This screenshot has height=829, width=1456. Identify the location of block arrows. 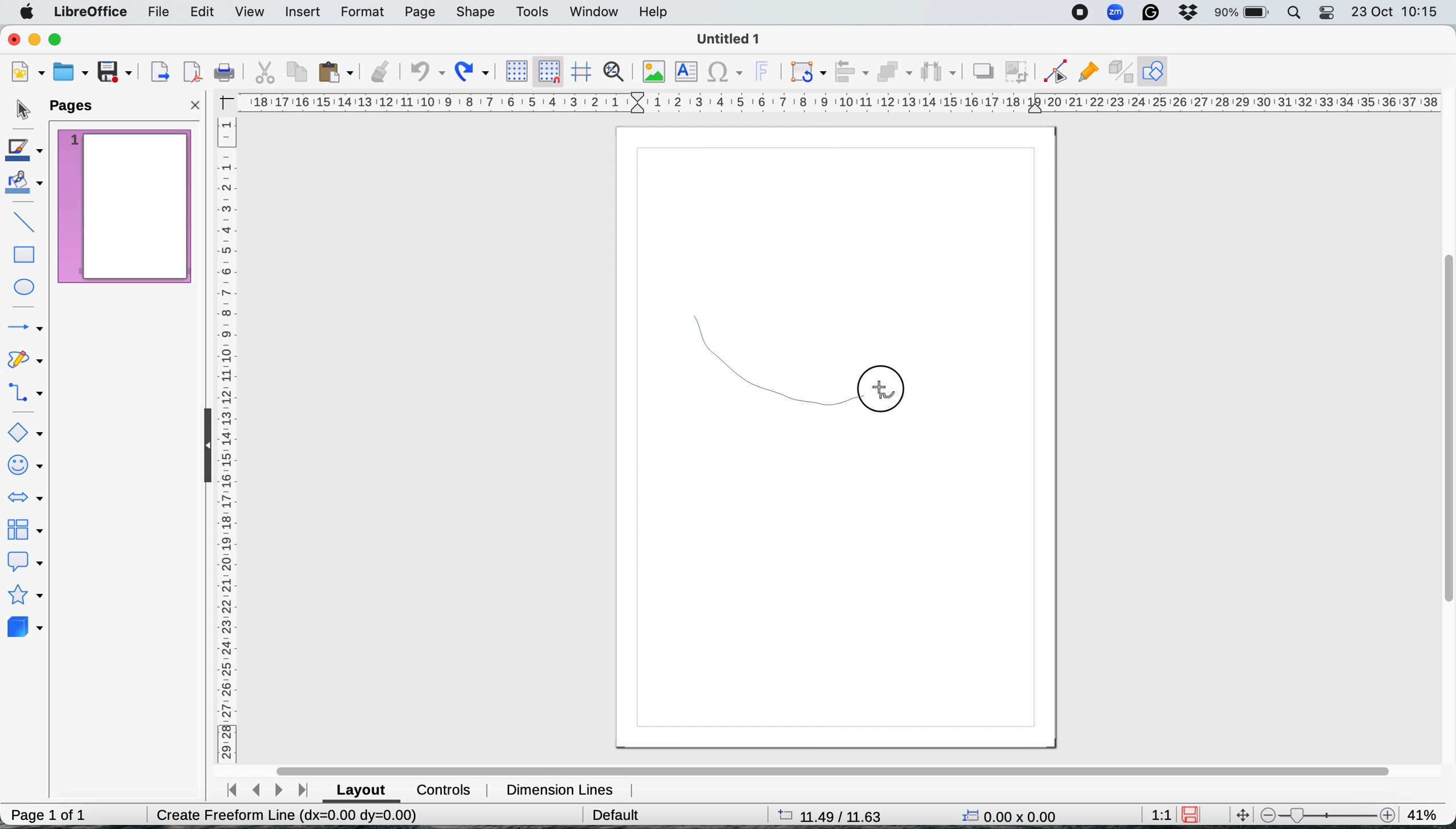
(27, 494).